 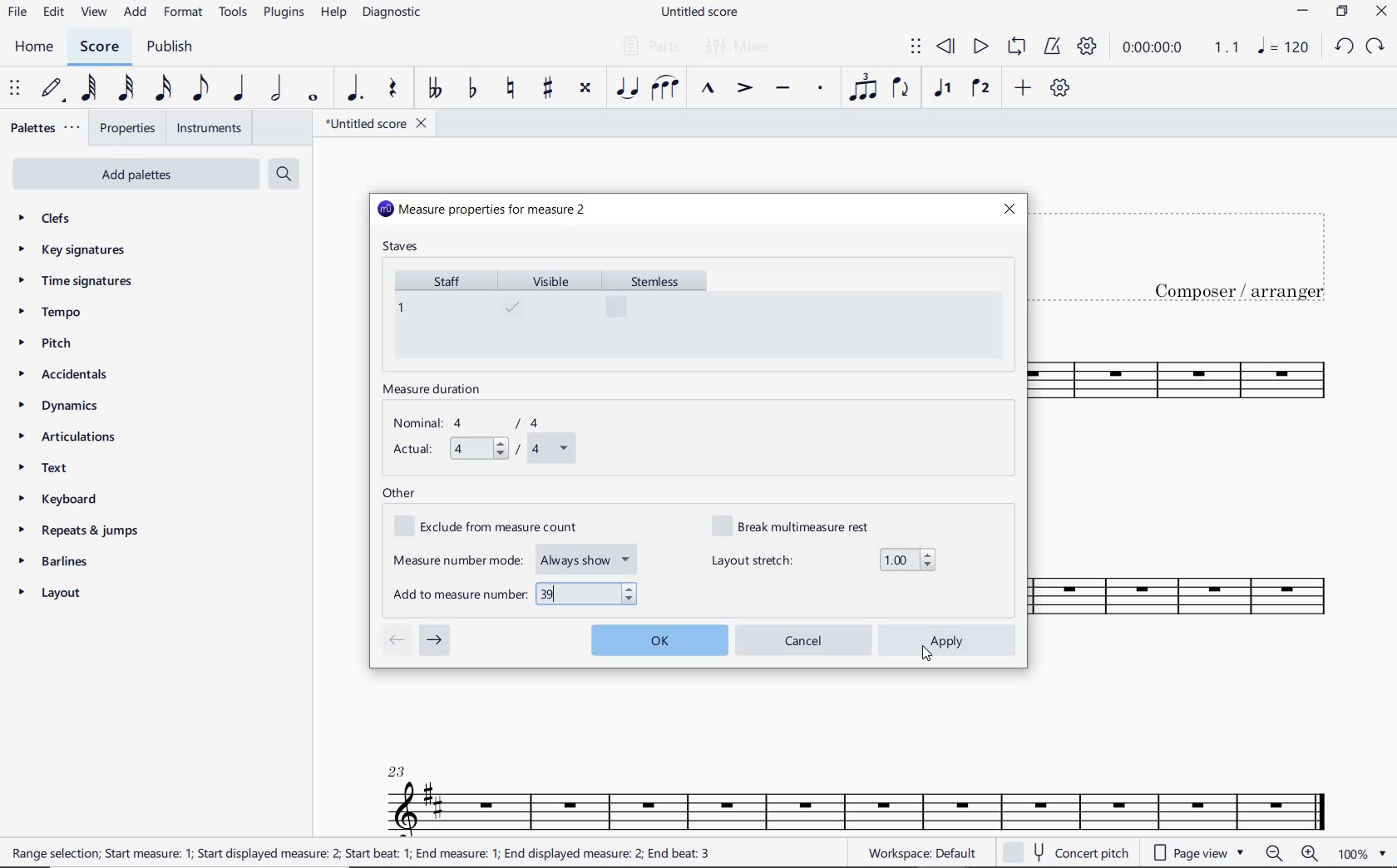 What do you see at coordinates (516, 594) in the screenshot?
I see `add to measure number: "39"` at bounding box center [516, 594].